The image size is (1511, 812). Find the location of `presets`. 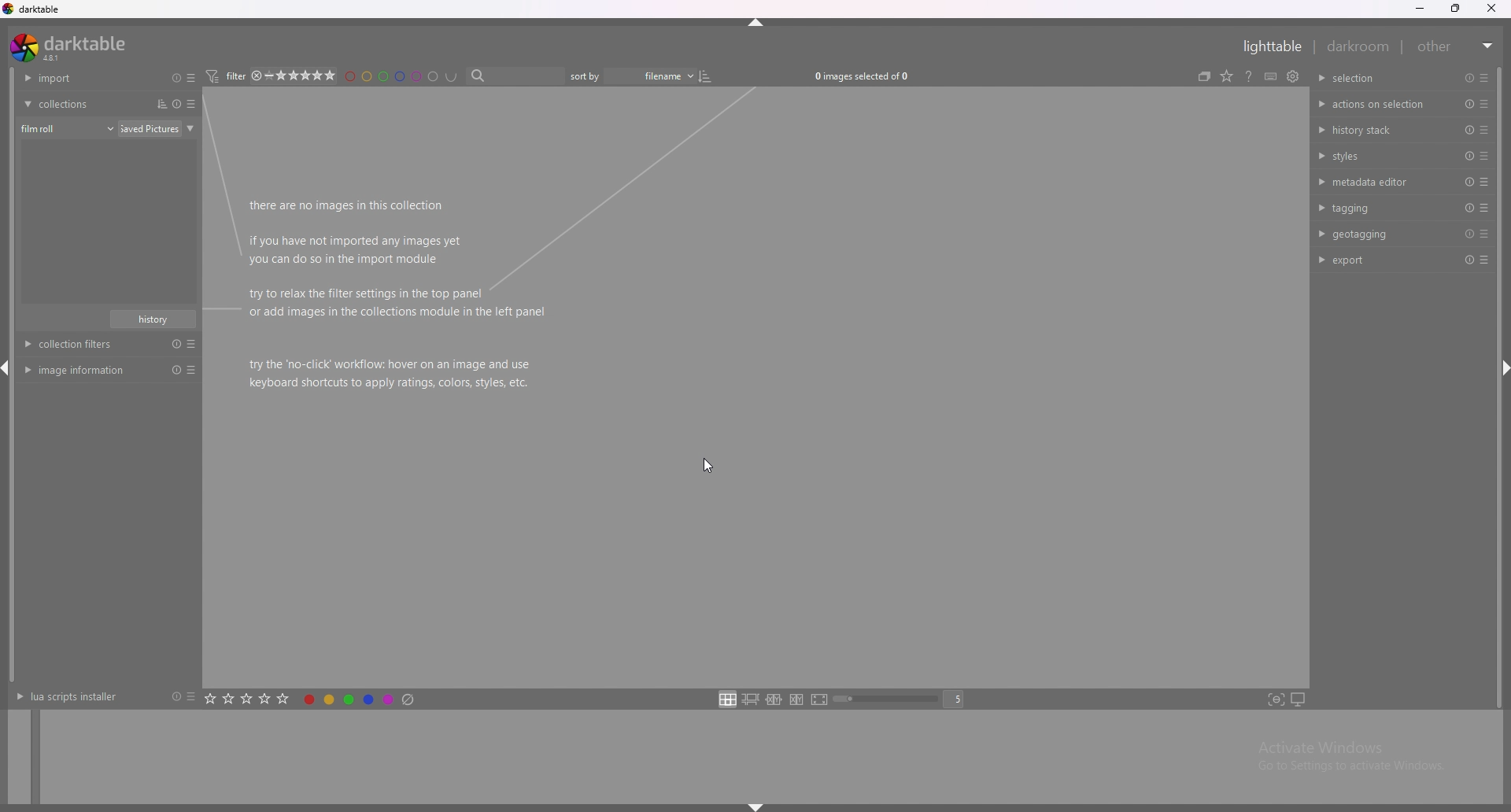

presets is located at coordinates (1485, 261).